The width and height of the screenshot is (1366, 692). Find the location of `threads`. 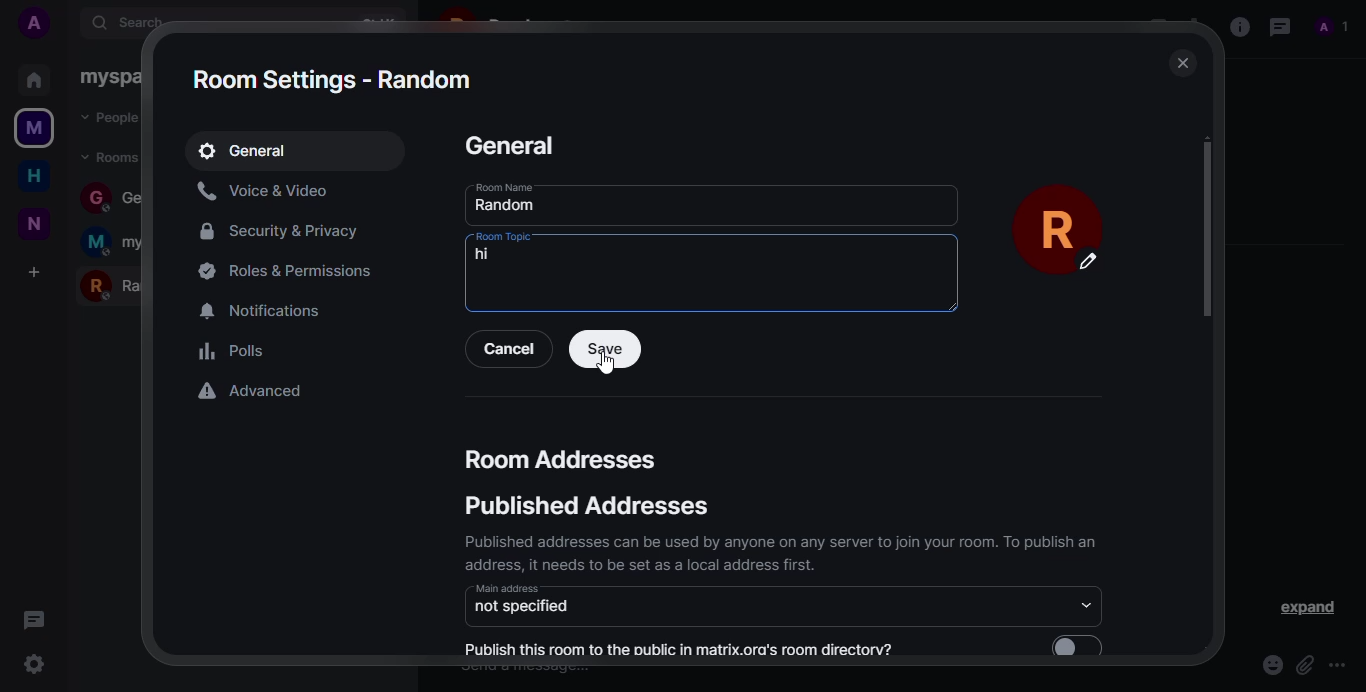

threads is located at coordinates (33, 619).